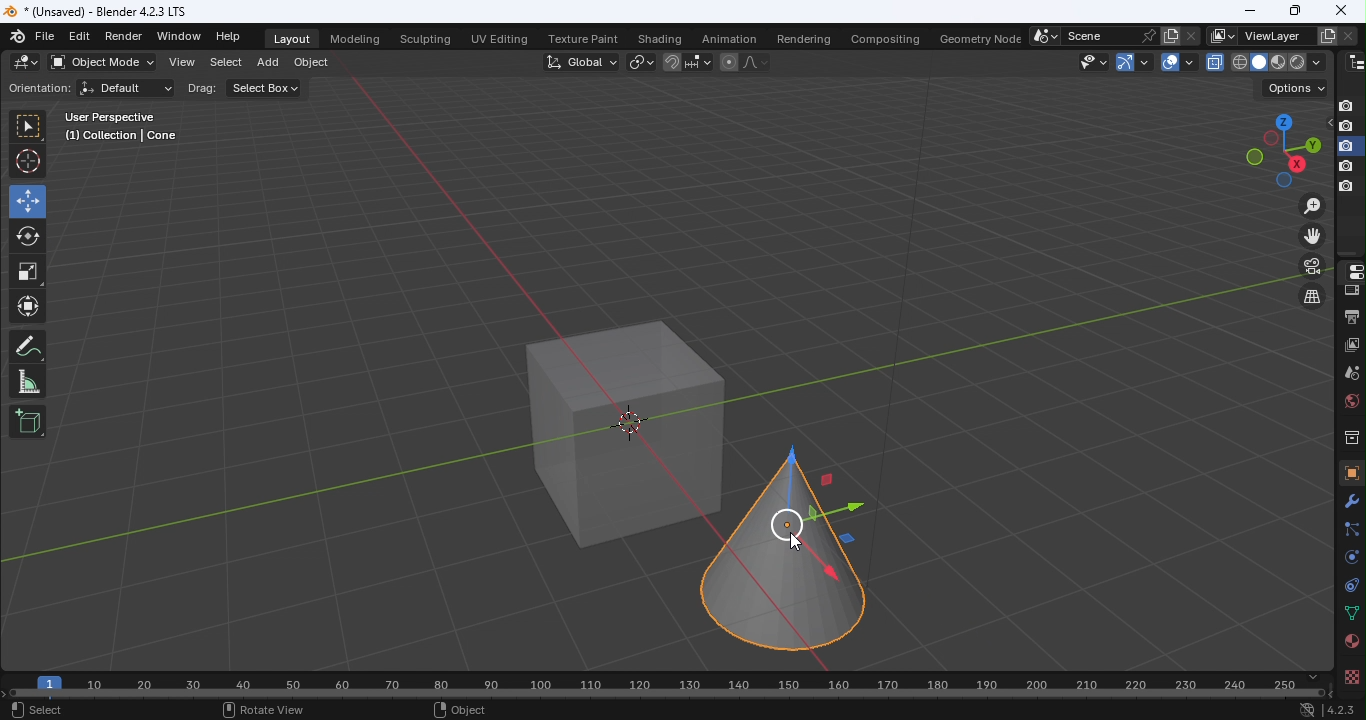 The height and width of the screenshot is (720, 1366). What do you see at coordinates (28, 420) in the screenshot?
I see `Add cube` at bounding box center [28, 420].